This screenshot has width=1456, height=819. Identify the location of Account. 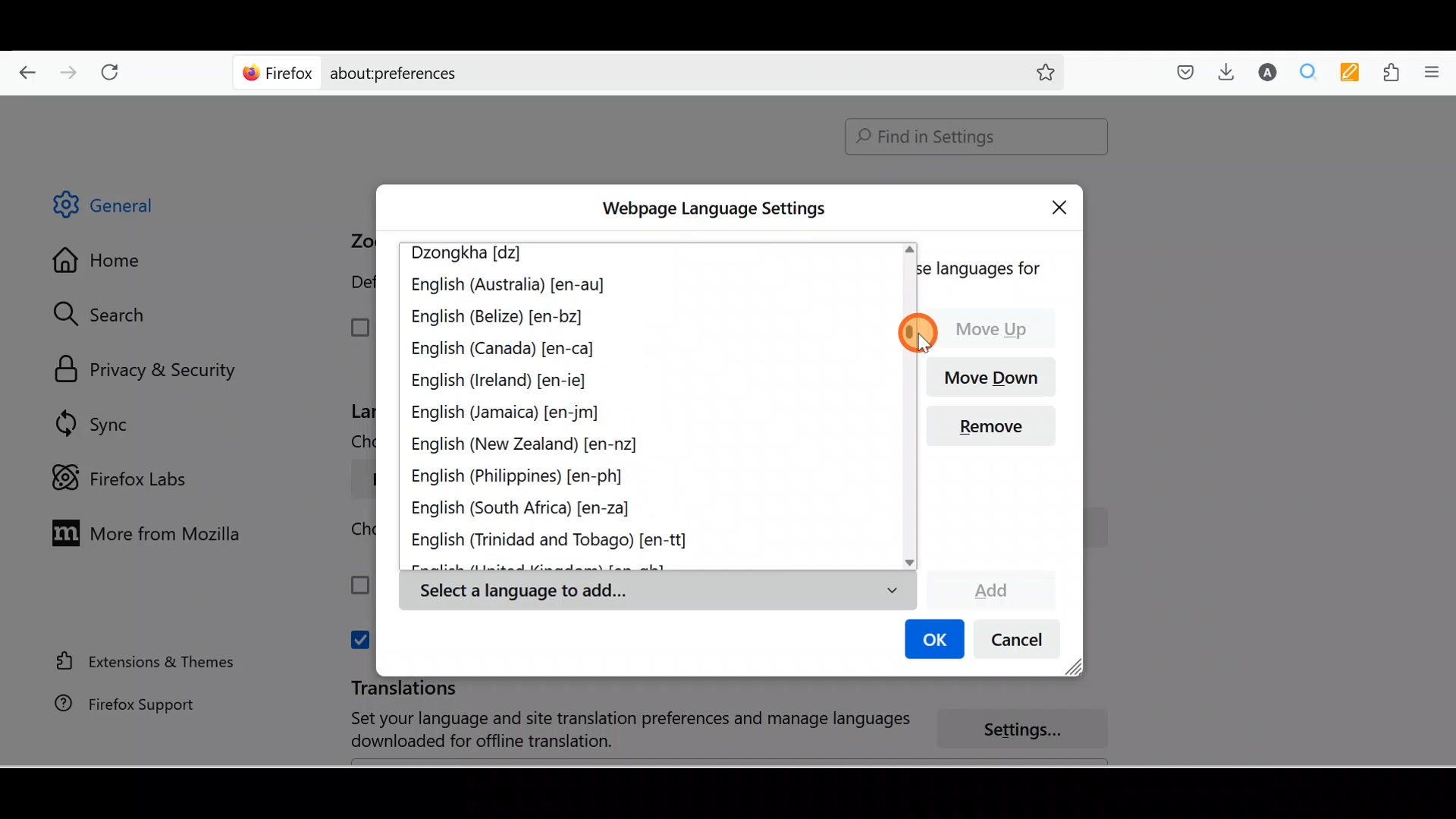
(1264, 72).